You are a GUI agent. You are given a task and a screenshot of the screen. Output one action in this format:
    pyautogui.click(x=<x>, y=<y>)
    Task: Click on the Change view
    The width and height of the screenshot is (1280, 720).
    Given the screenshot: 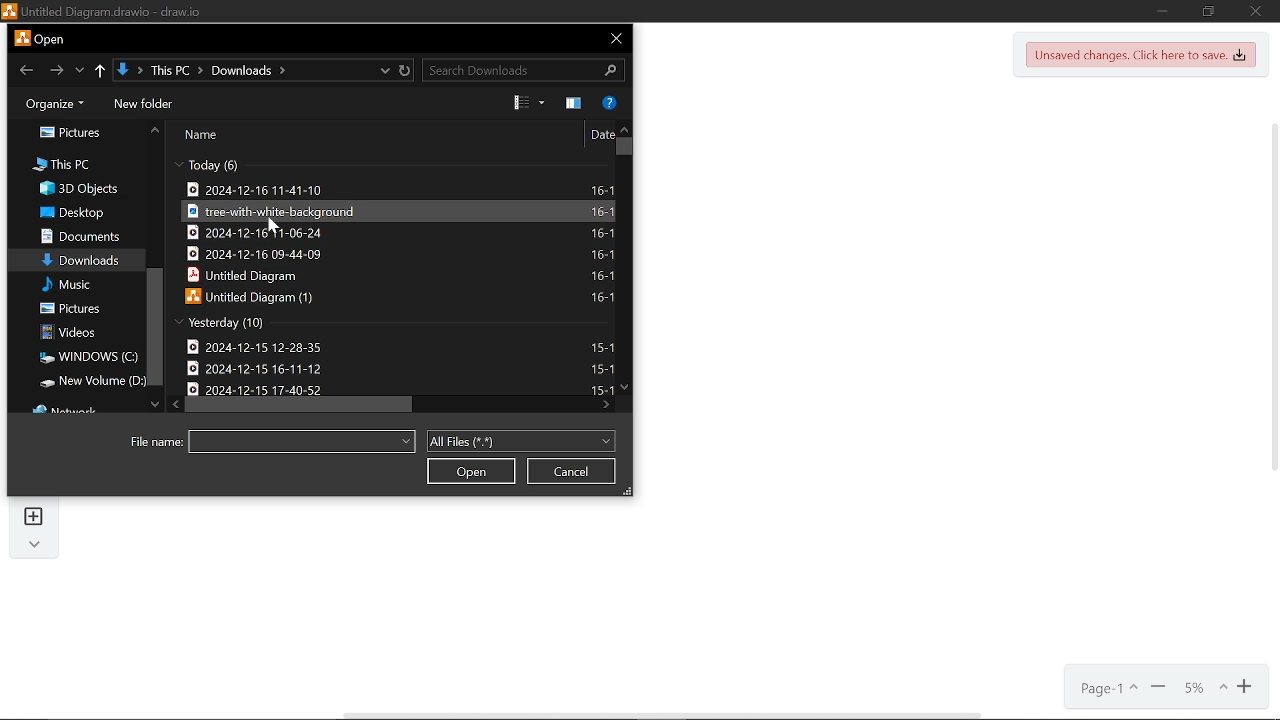 What is the action you would take?
    pyautogui.click(x=533, y=103)
    